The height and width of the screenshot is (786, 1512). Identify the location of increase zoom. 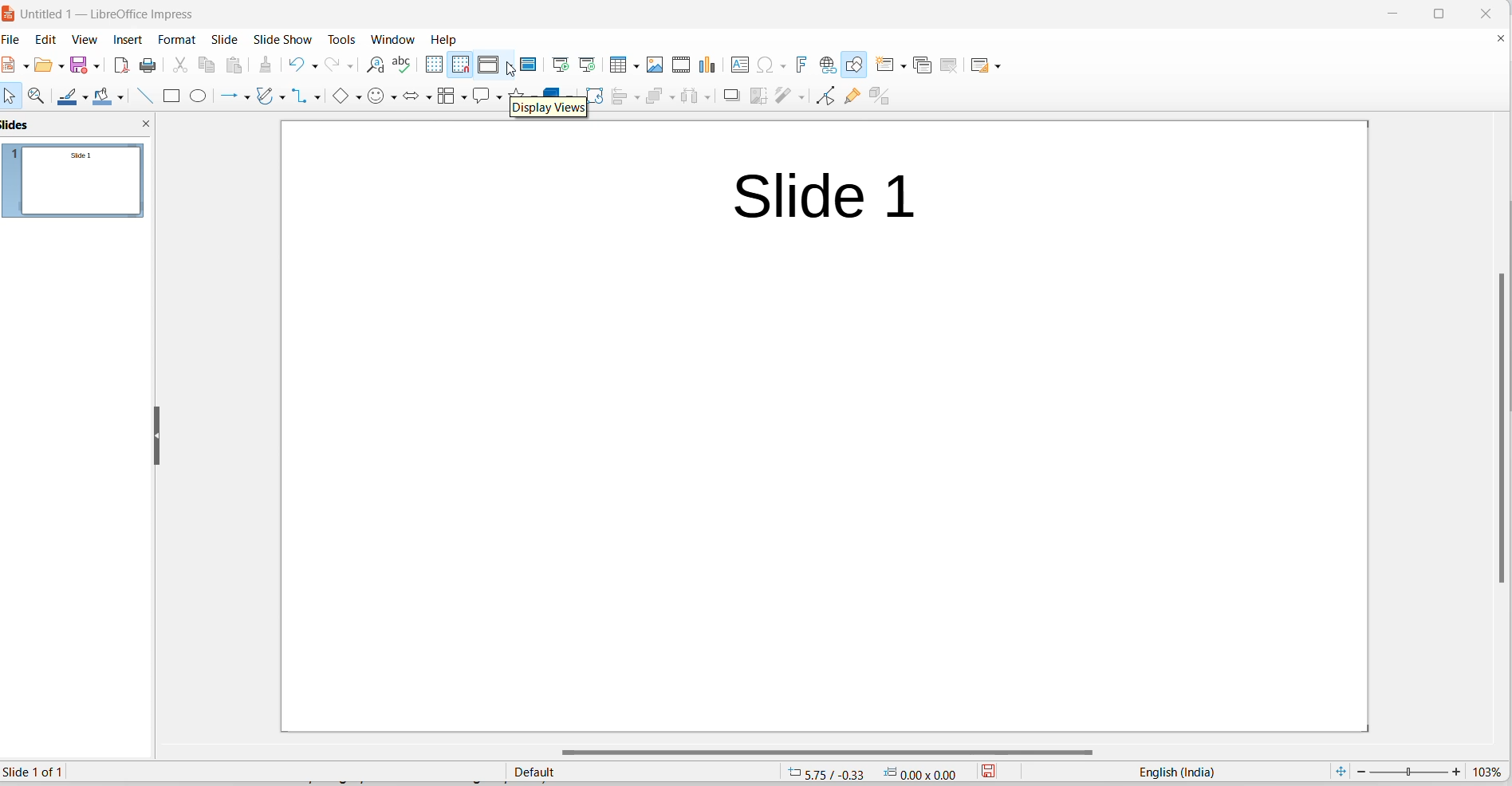
(1458, 773).